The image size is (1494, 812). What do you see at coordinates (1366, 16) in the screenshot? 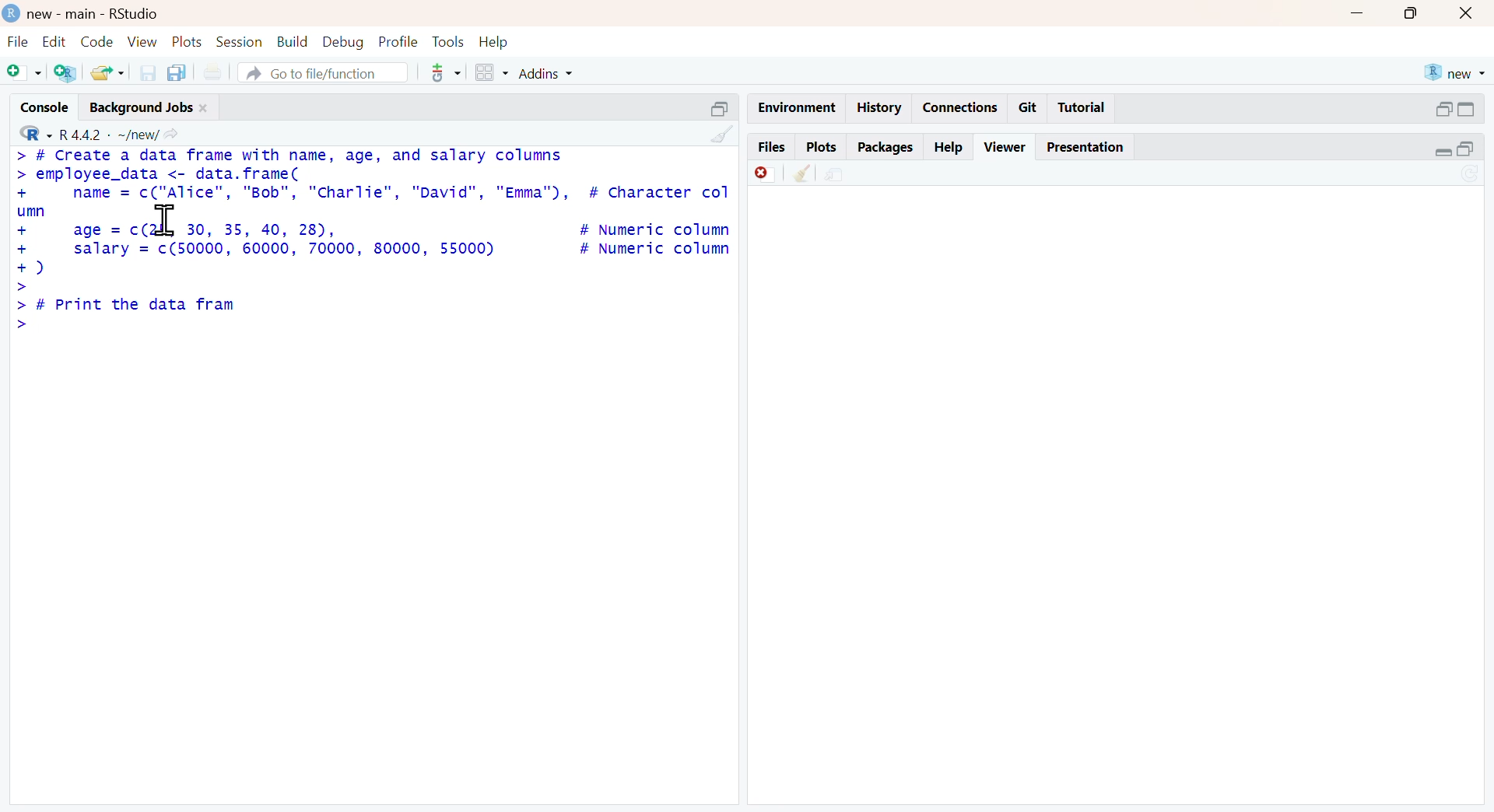
I see `minimize` at bounding box center [1366, 16].